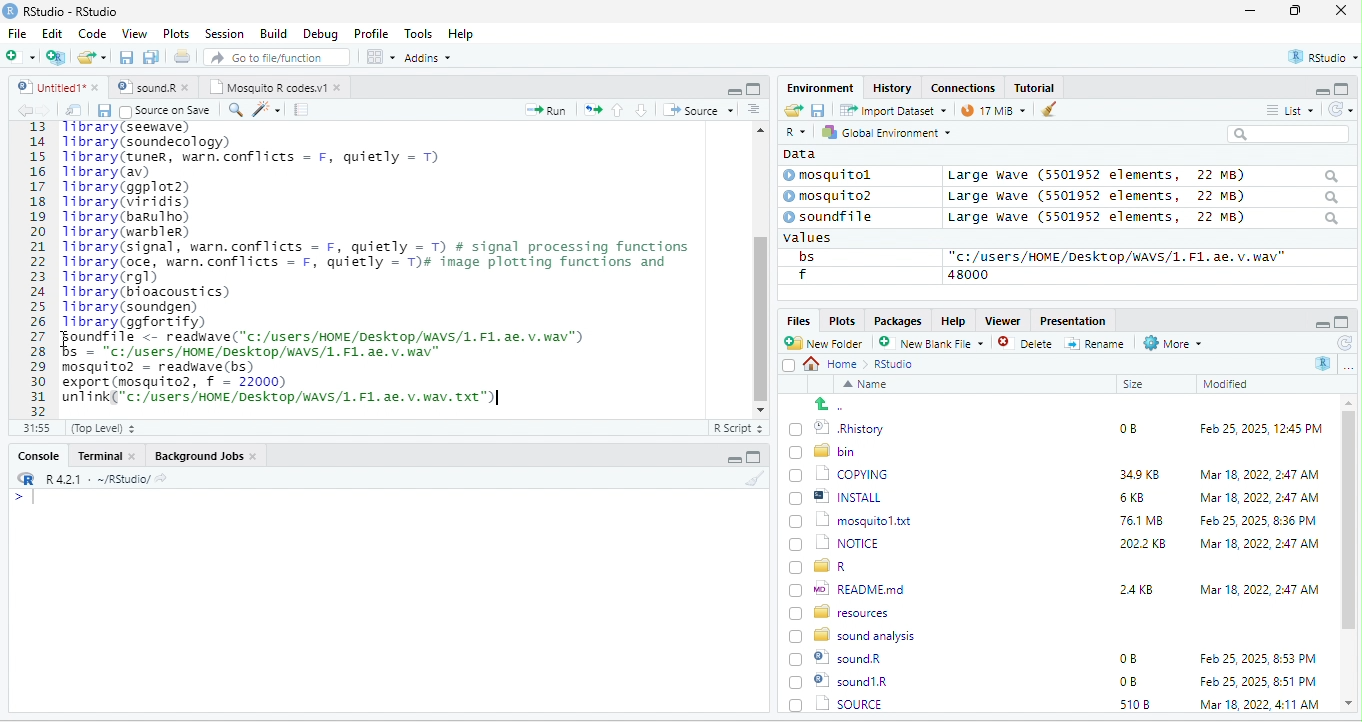 The width and height of the screenshot is (1362, 722). I want to click on Profile, so click(371, 34).